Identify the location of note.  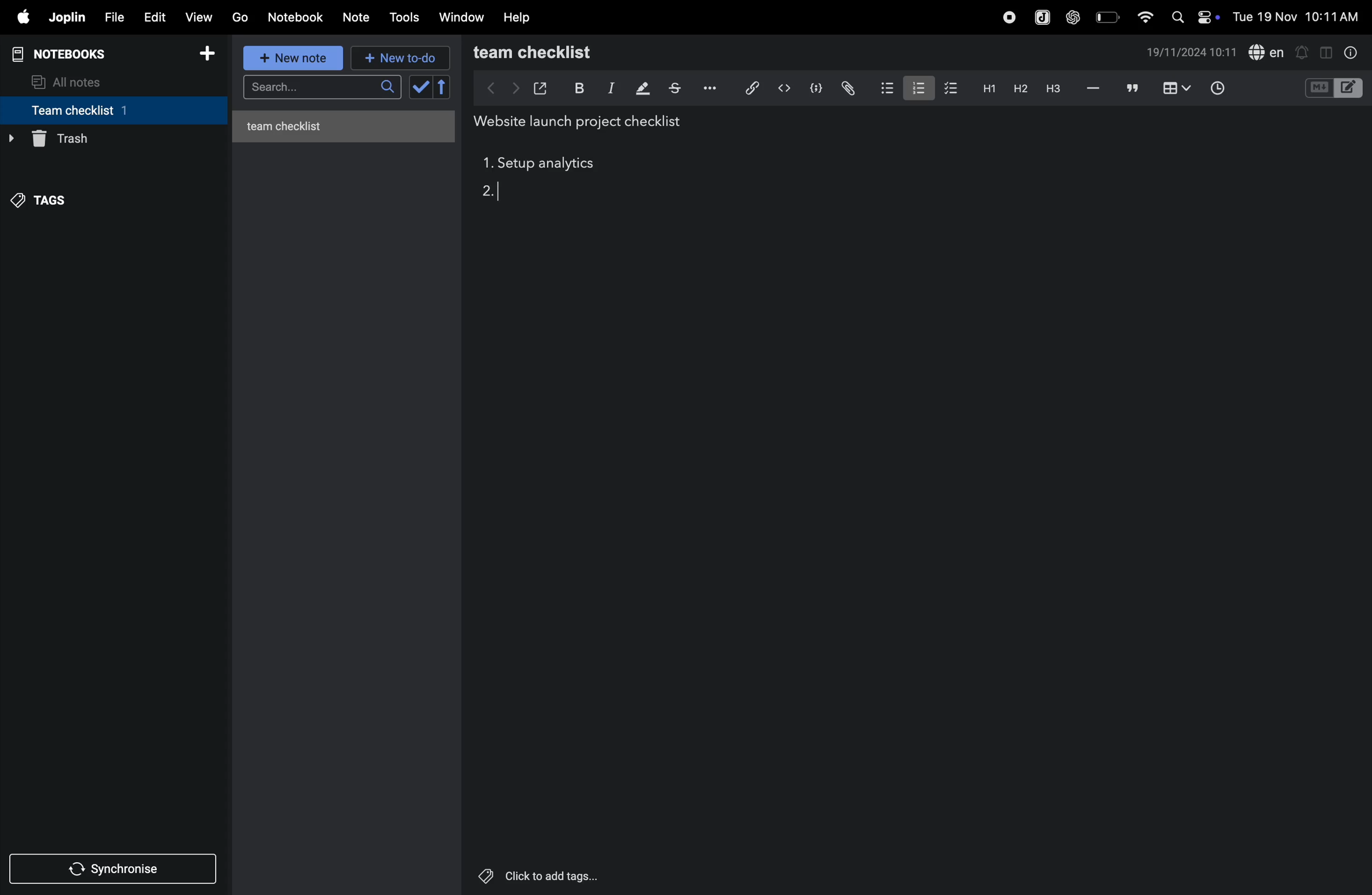
(361, 16).